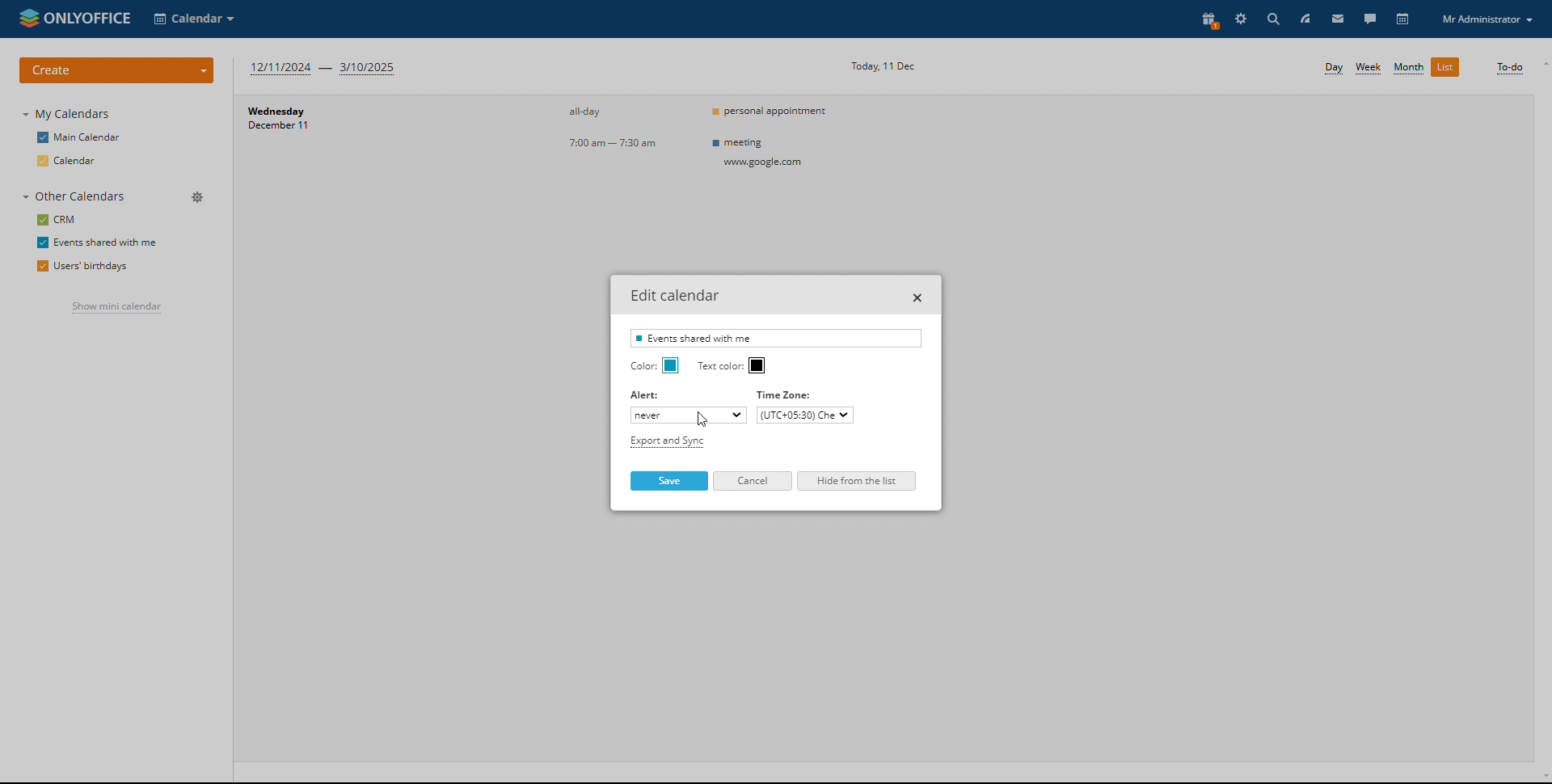 The image size is (1552, 784). I want to click on create, so click(117, 70).